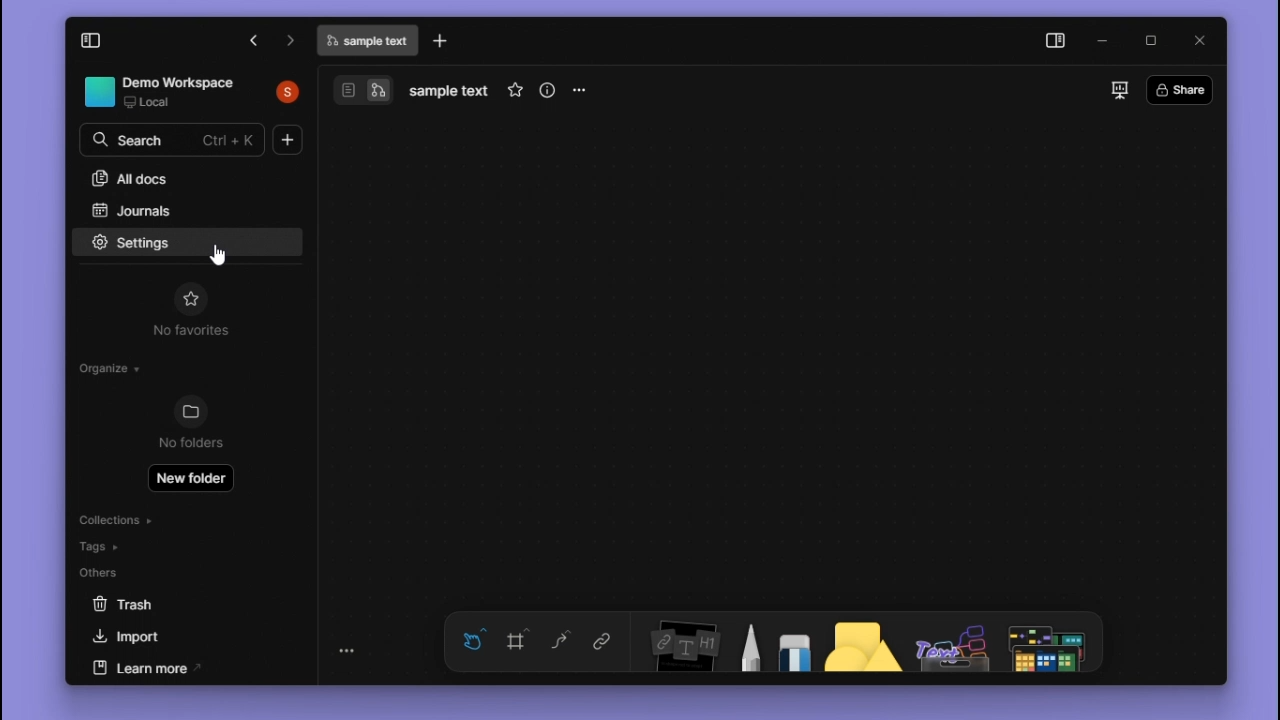 This screenshot has width=1280, height=720. What do you see at coordinates (169, 208) in the screenshot?
I see `journals` at bounding box center [169, 208].